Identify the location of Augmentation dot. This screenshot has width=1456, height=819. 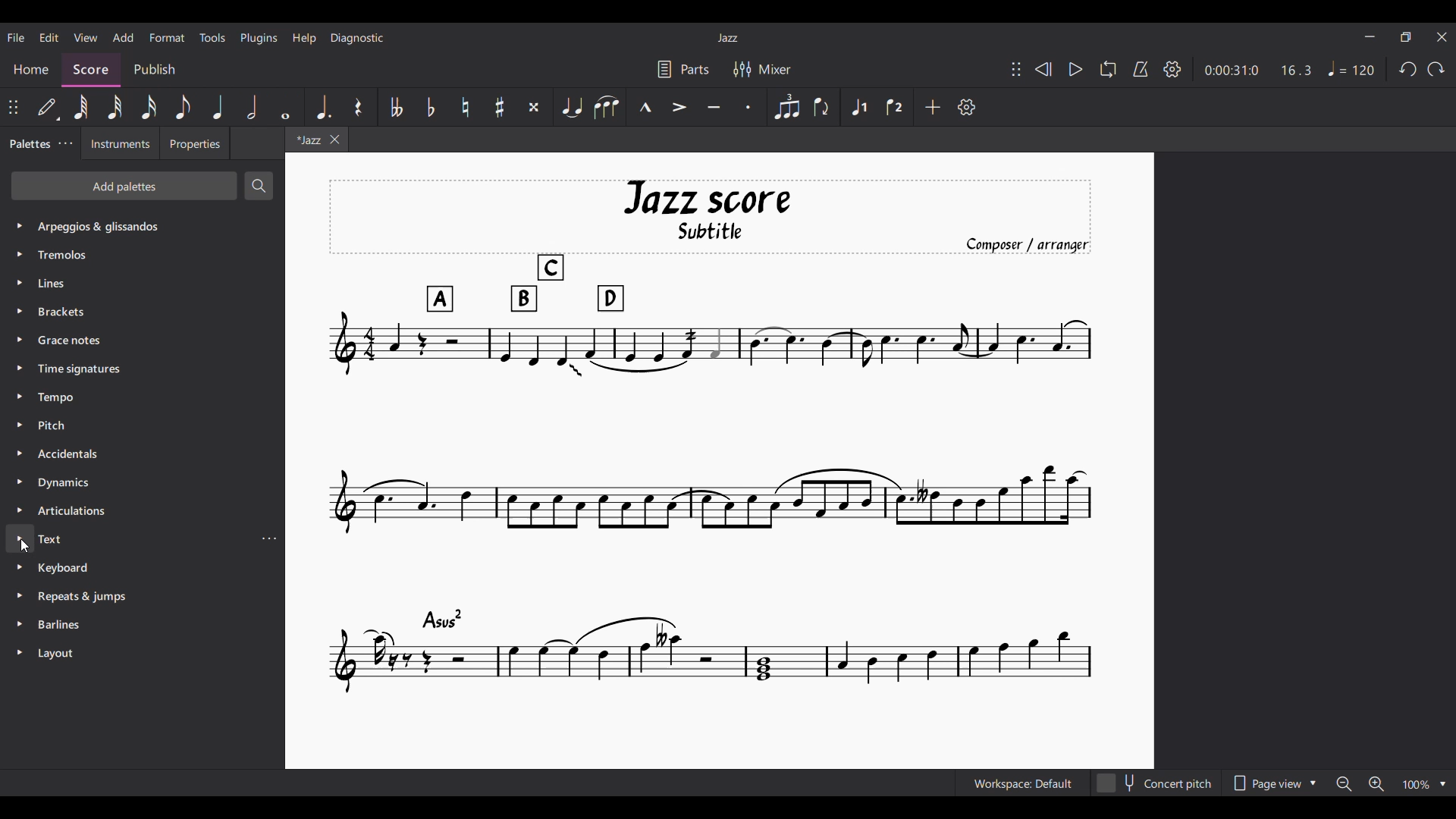
(321, 106).